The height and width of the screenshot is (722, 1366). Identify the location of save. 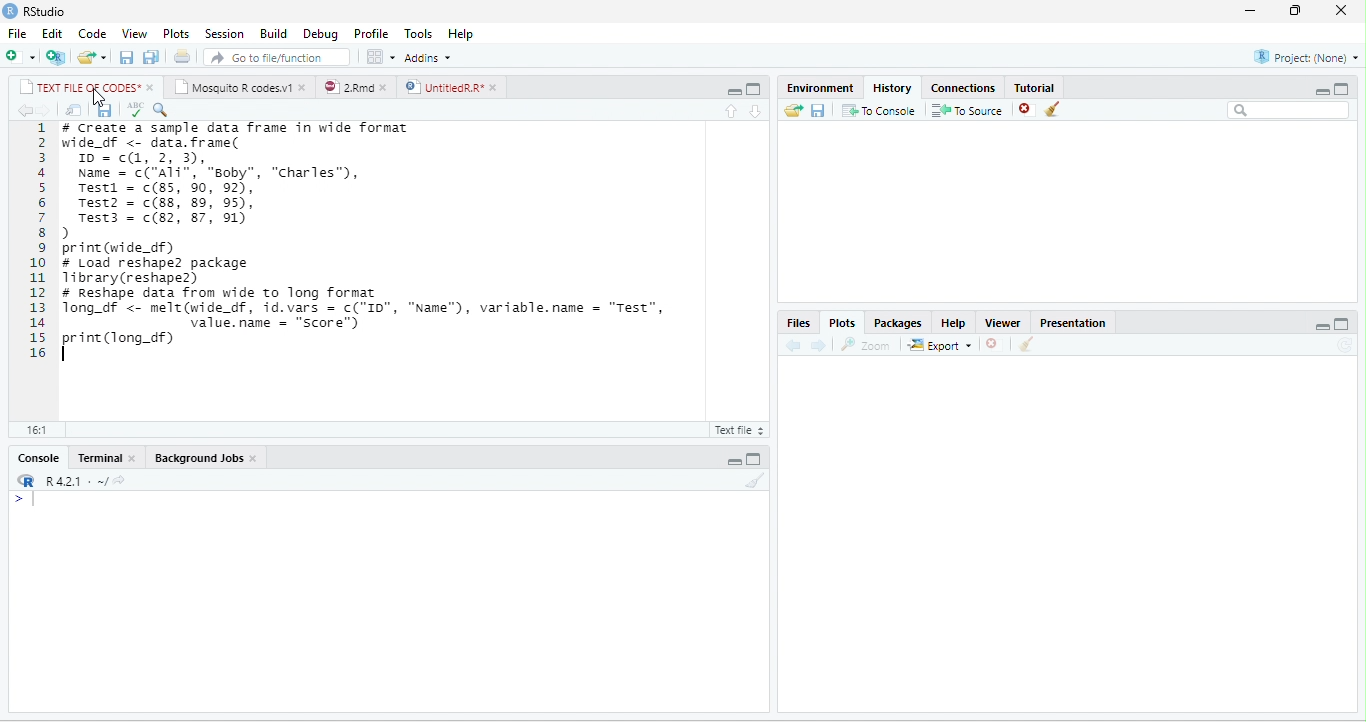
(128, 57).